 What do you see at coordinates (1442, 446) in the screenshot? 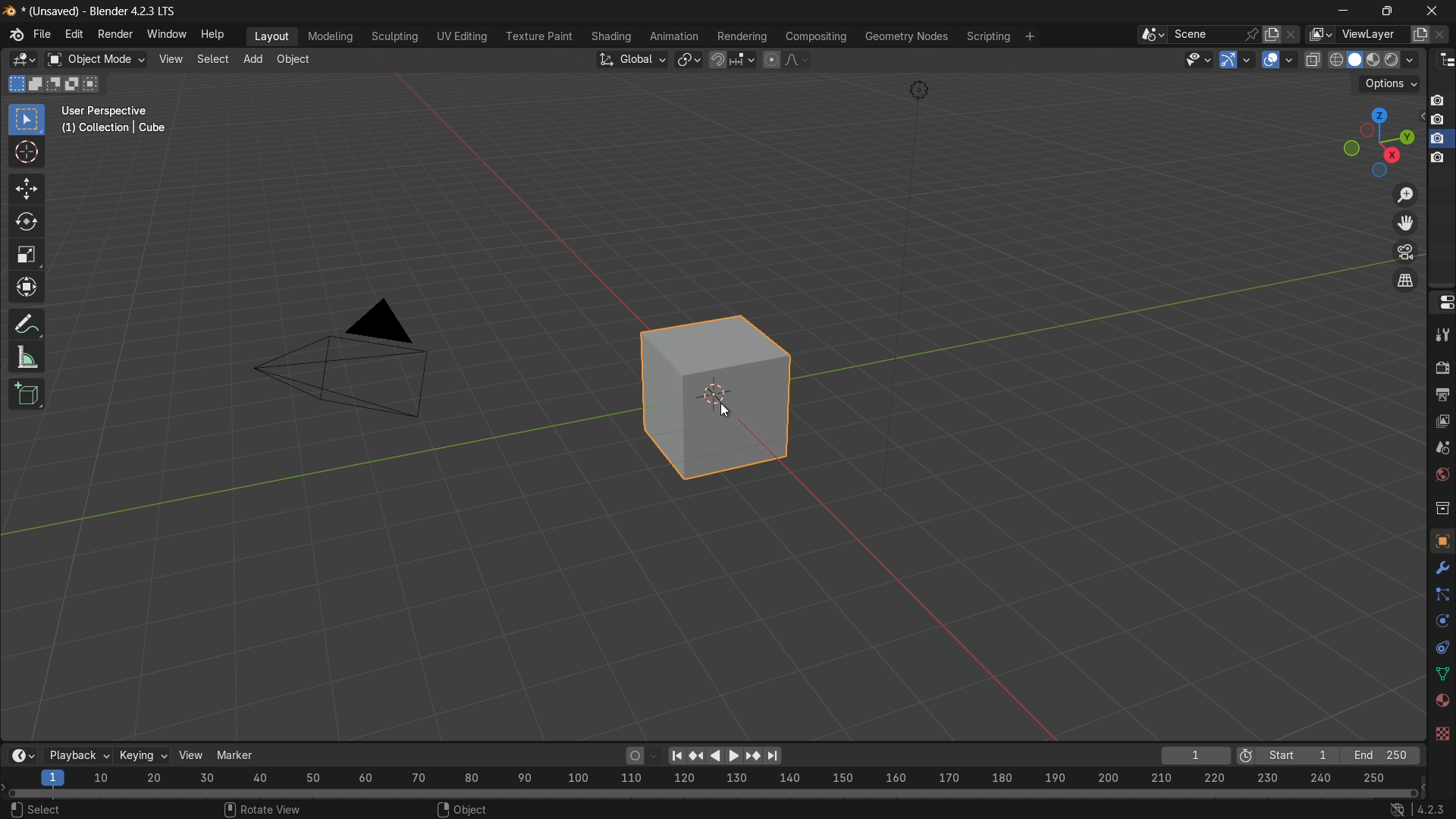
I see `scene` at bounding box center [1442, 446].